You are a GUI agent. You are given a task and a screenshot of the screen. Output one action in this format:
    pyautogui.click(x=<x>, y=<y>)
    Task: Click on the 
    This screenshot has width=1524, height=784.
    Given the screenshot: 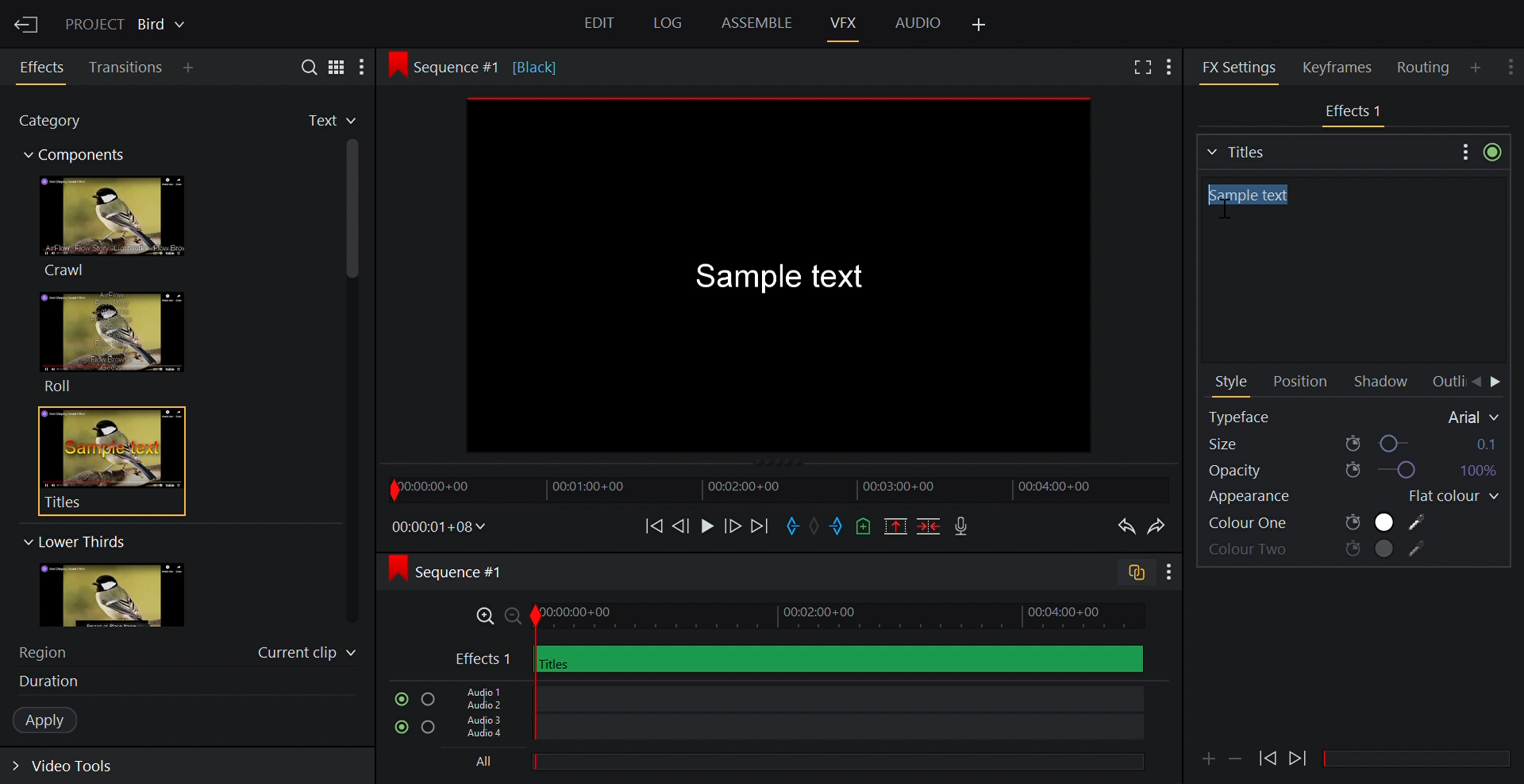 What is the action you would take?
    pyautogui.click(x=54, y=681)
    